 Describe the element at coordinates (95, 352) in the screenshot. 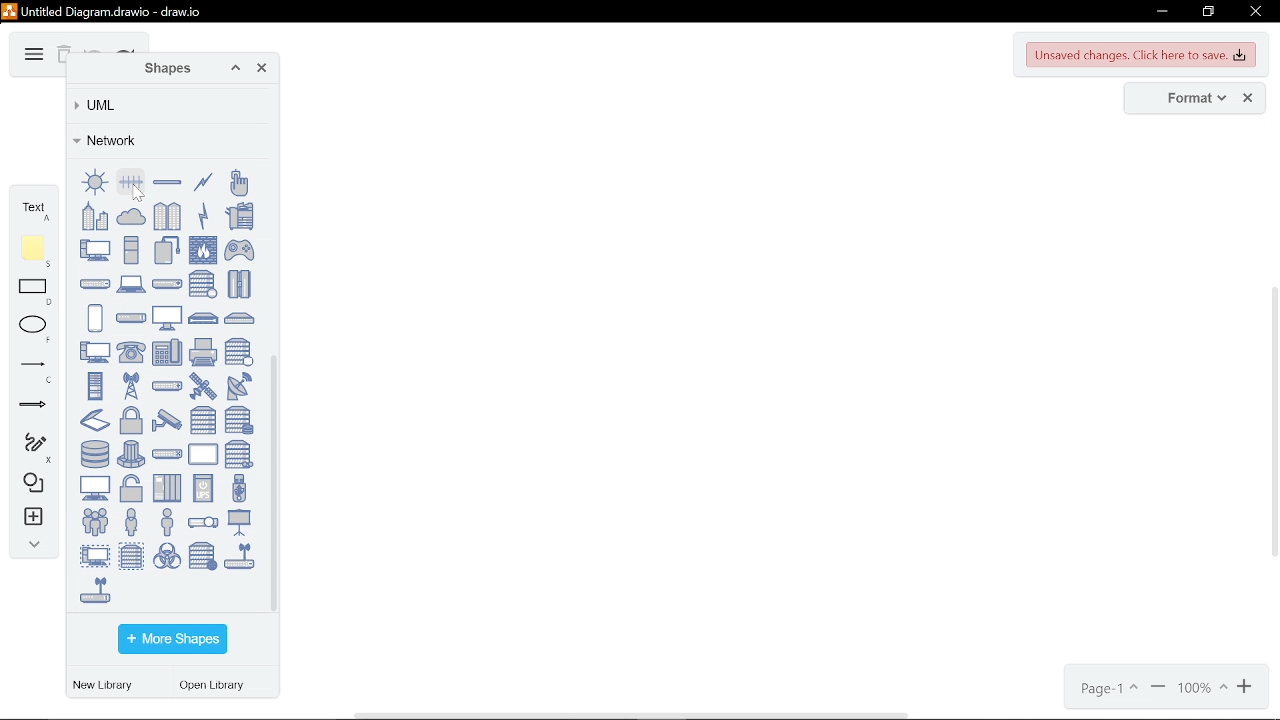

I see `PC` at that location.